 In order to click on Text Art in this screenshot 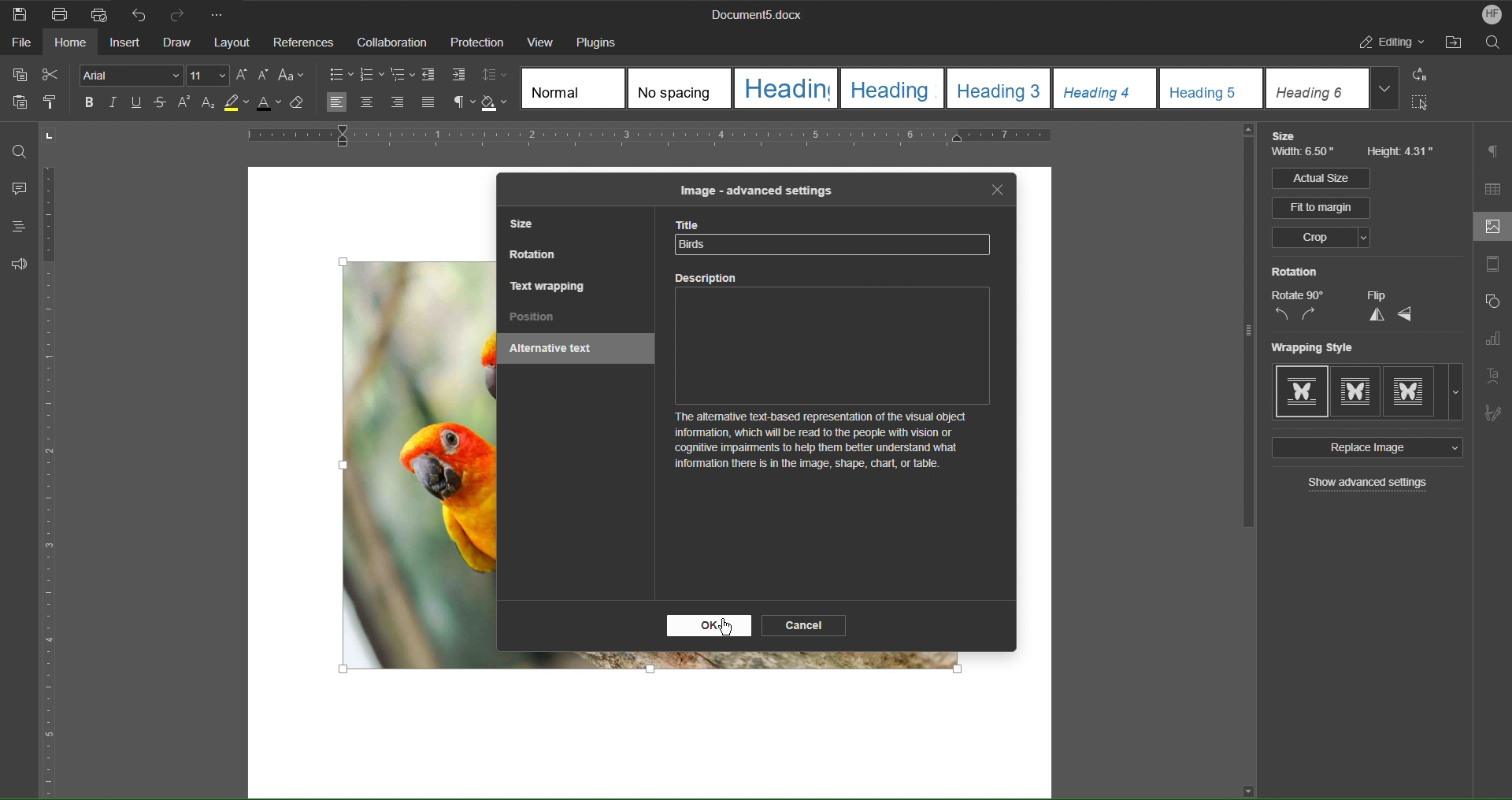, I will do `click(1495, 375)`.